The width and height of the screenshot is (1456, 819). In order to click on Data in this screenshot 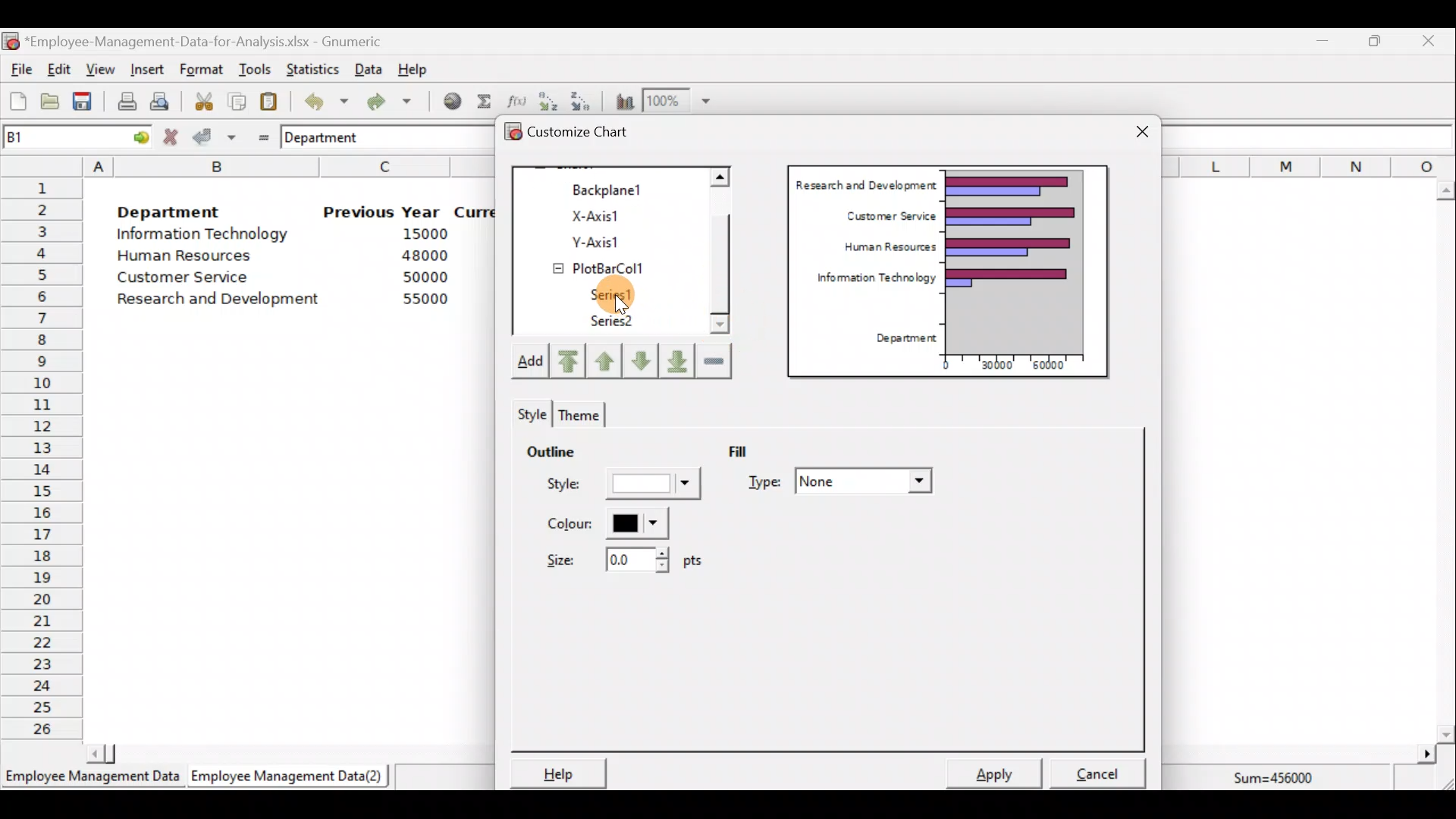, I will do `click(369, 69)`.